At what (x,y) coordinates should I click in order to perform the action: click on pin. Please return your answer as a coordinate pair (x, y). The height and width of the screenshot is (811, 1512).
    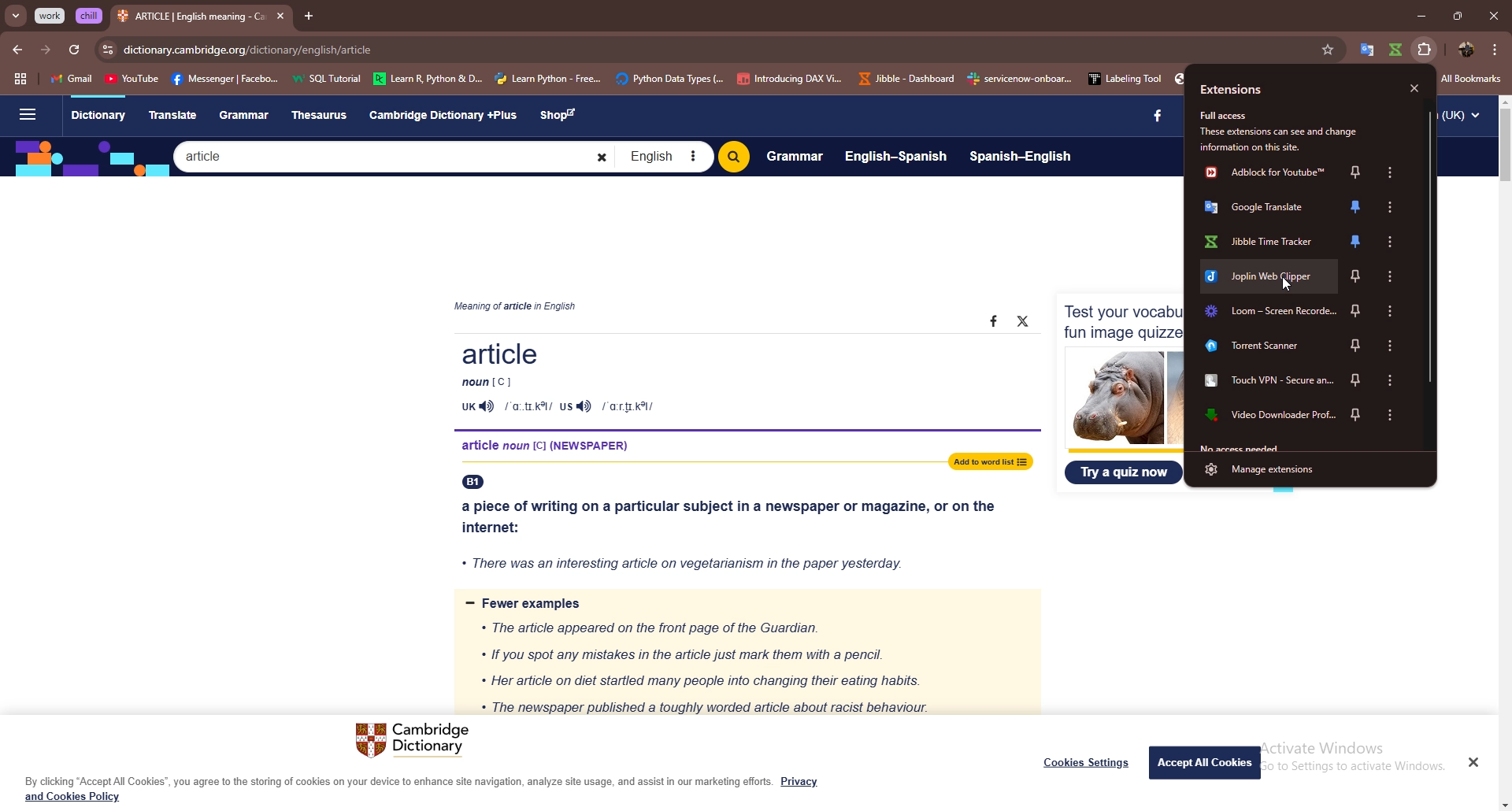
    Looking at the image, I should click on (1357, 276).